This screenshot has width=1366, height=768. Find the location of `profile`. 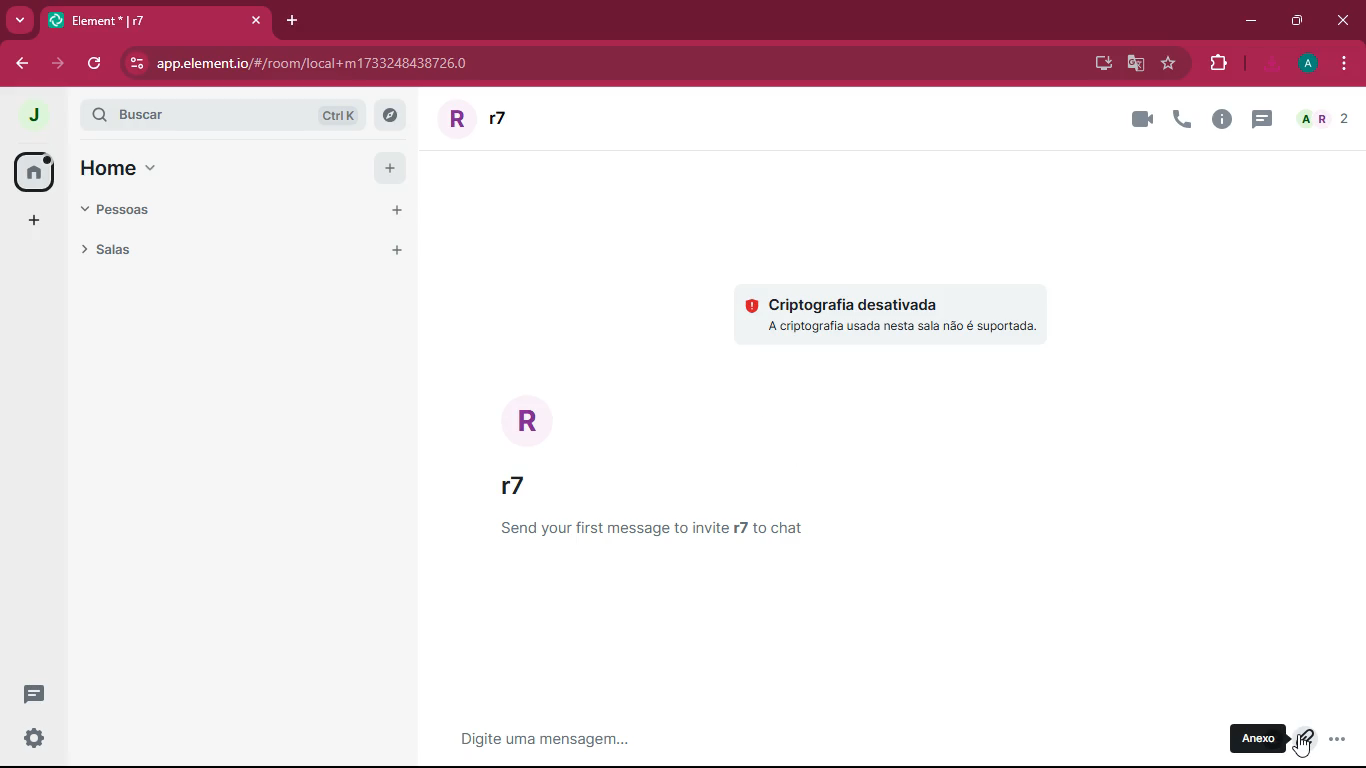

profile is located at coordinates (1310, 63).